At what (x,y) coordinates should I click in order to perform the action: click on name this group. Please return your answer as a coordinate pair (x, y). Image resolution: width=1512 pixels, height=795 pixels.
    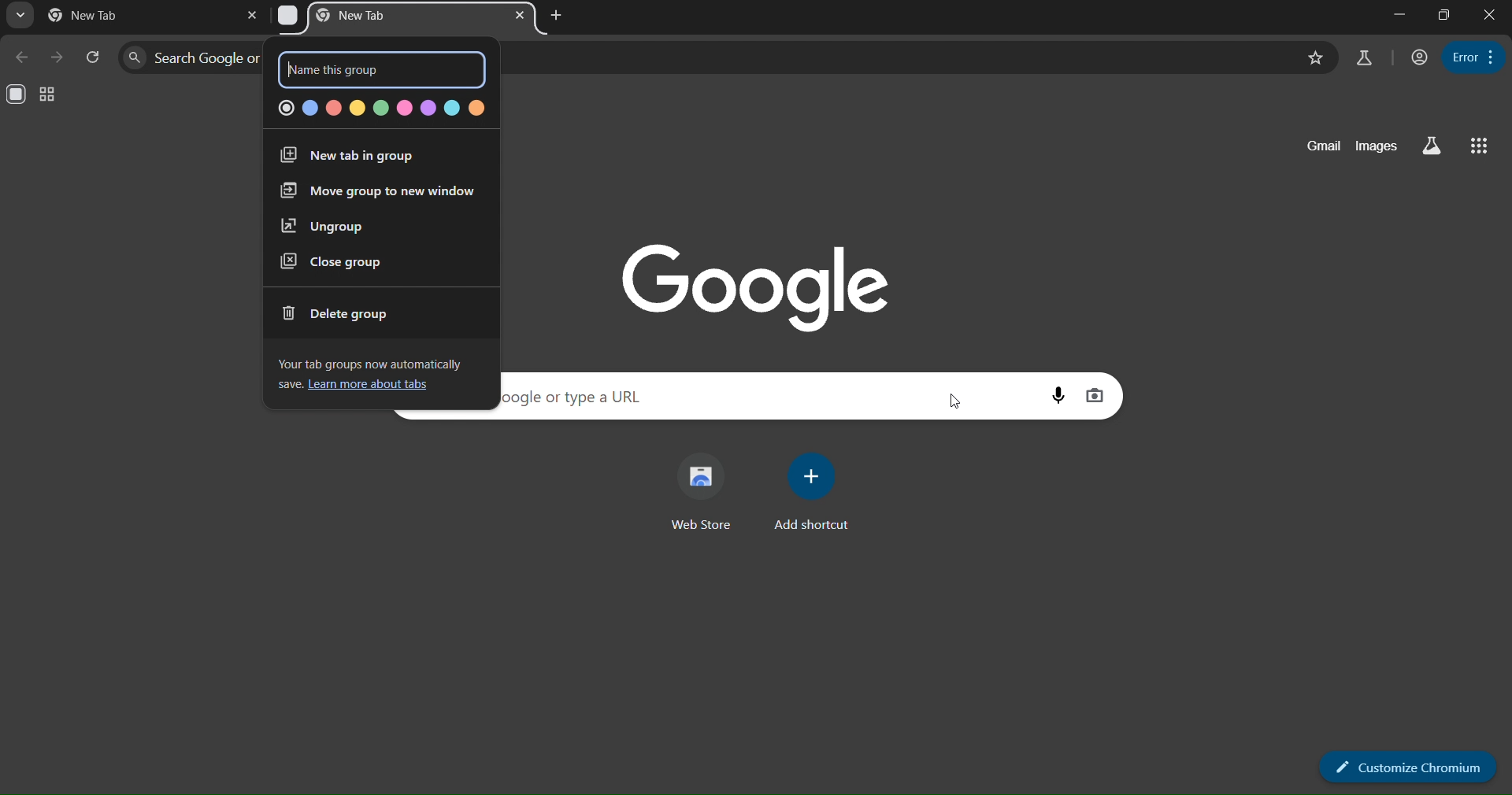
    Looking at the image, I should click on (367, 72).